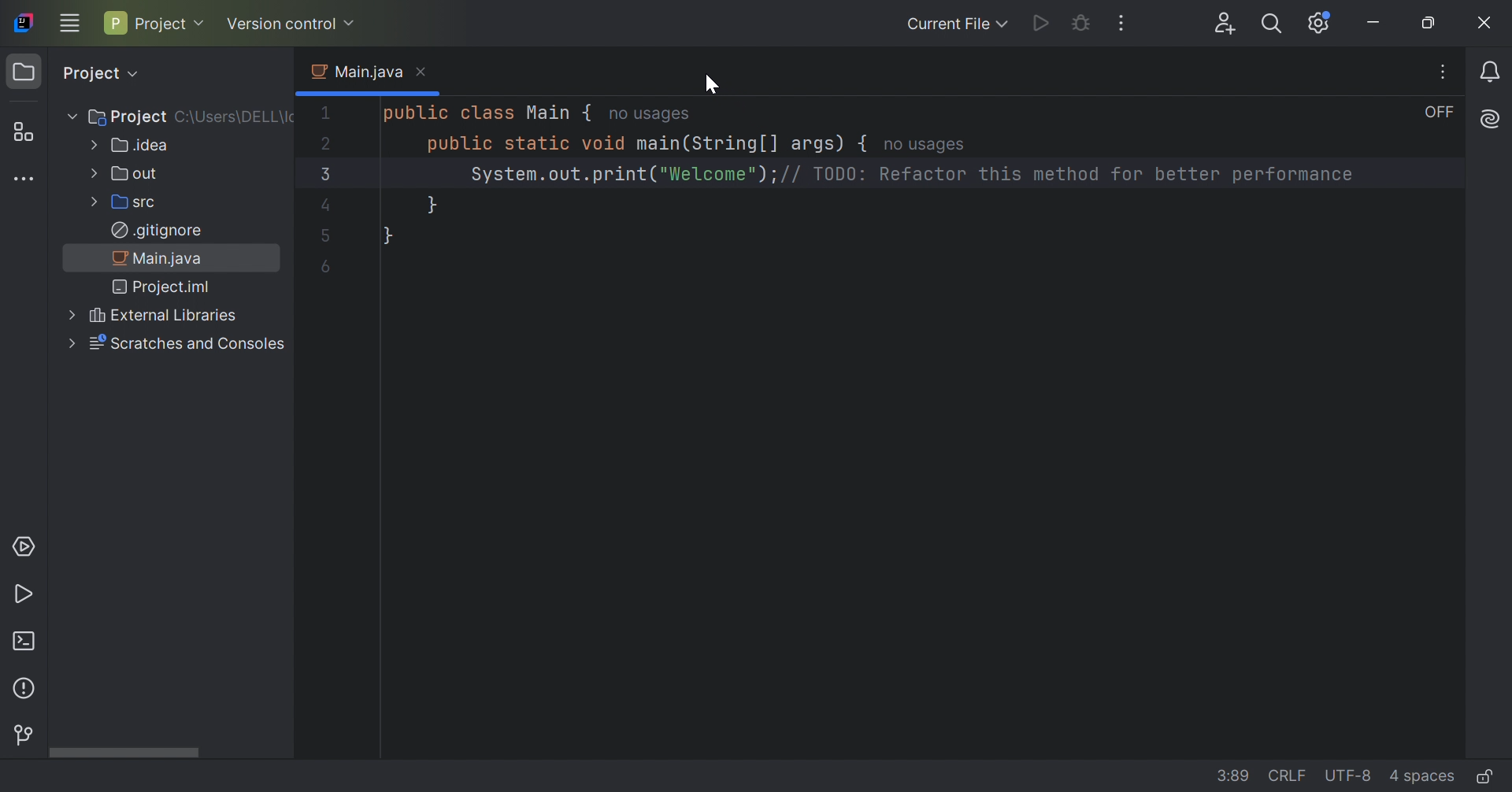 The height and width of the screenshot is (792, 1512). What do you see at coordinates (71, 22) in the screenshot?
I see `Main menu` at bounding box center [71, 22].